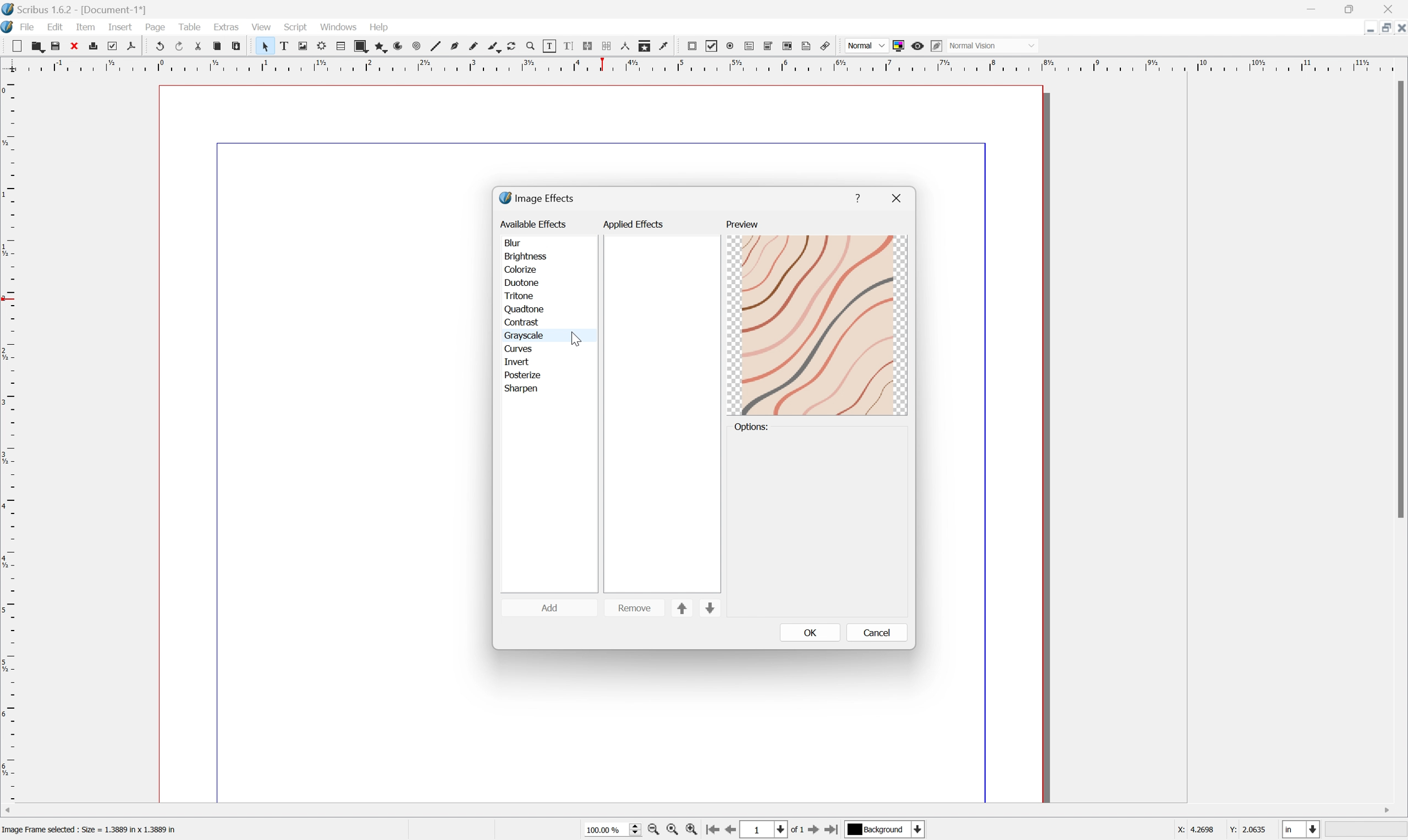 This screenshot has width=1408, height=840. What do you see at coordinates (772, 46) in the screenshot?
I see `PDF combo box` at bounding box center [772, 46].